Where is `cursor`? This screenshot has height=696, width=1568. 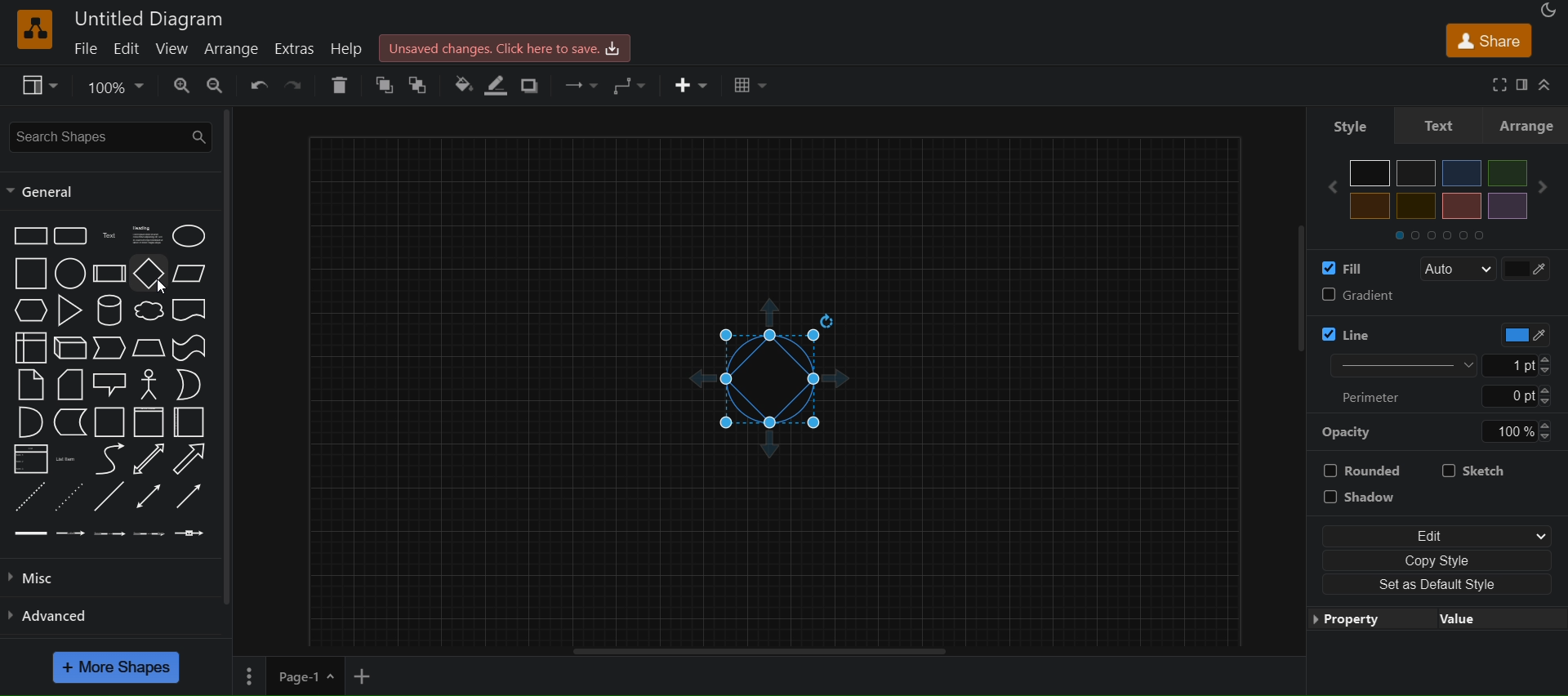
cursor is located at coordinates (162, 288).